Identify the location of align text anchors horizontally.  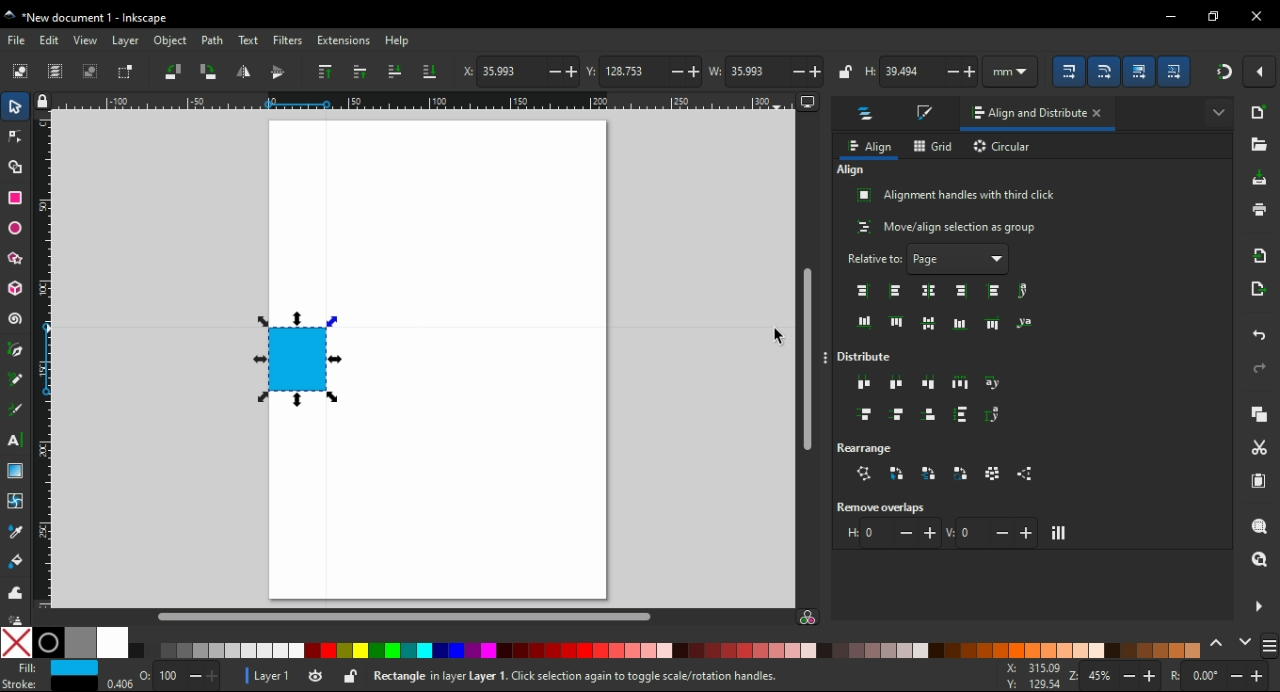
(1030, 320).